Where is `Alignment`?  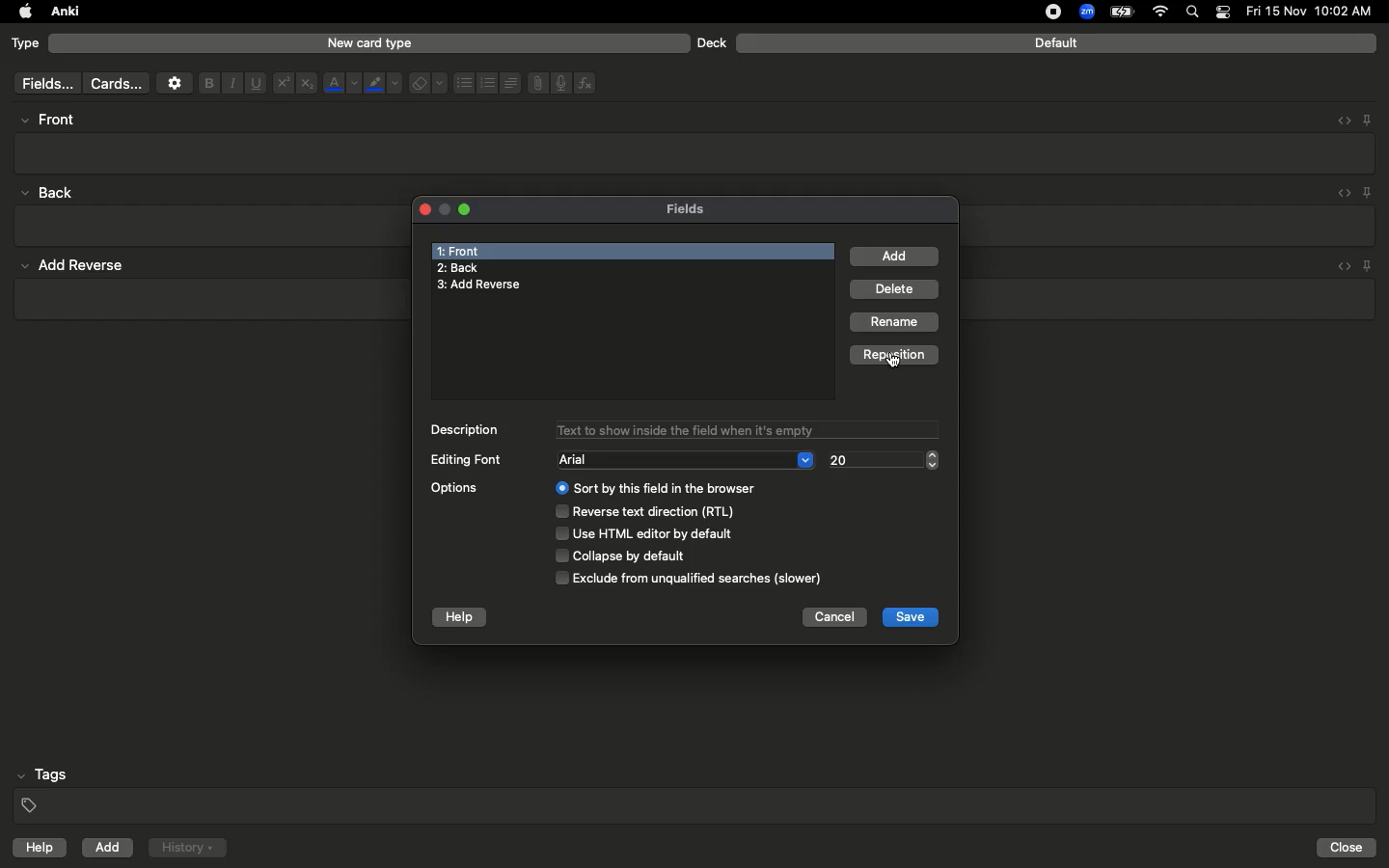 Alignment is located at coordinates (508, 81).